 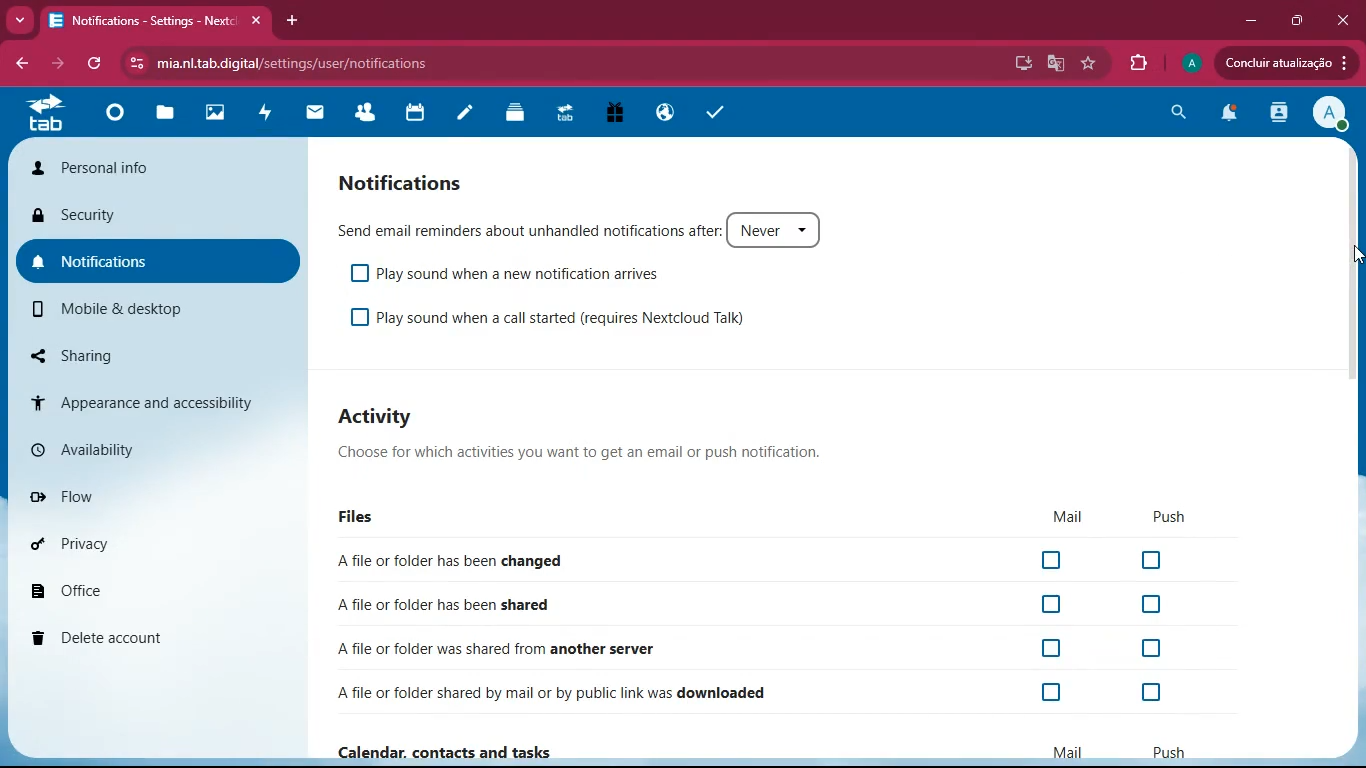 What do you see at coordinates (716, 113) in the screenshot?
I see `task` at bounding box center [716, 113].